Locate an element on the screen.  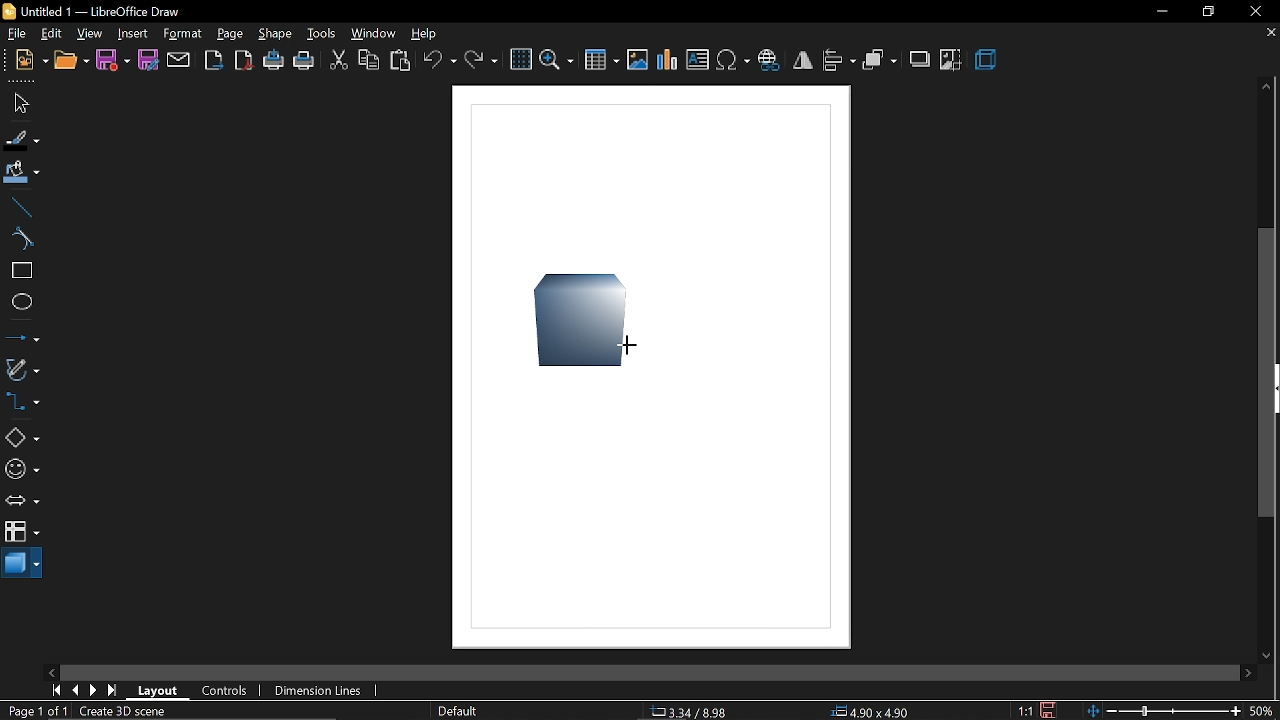
move up is located at coordinates (1265, 85).